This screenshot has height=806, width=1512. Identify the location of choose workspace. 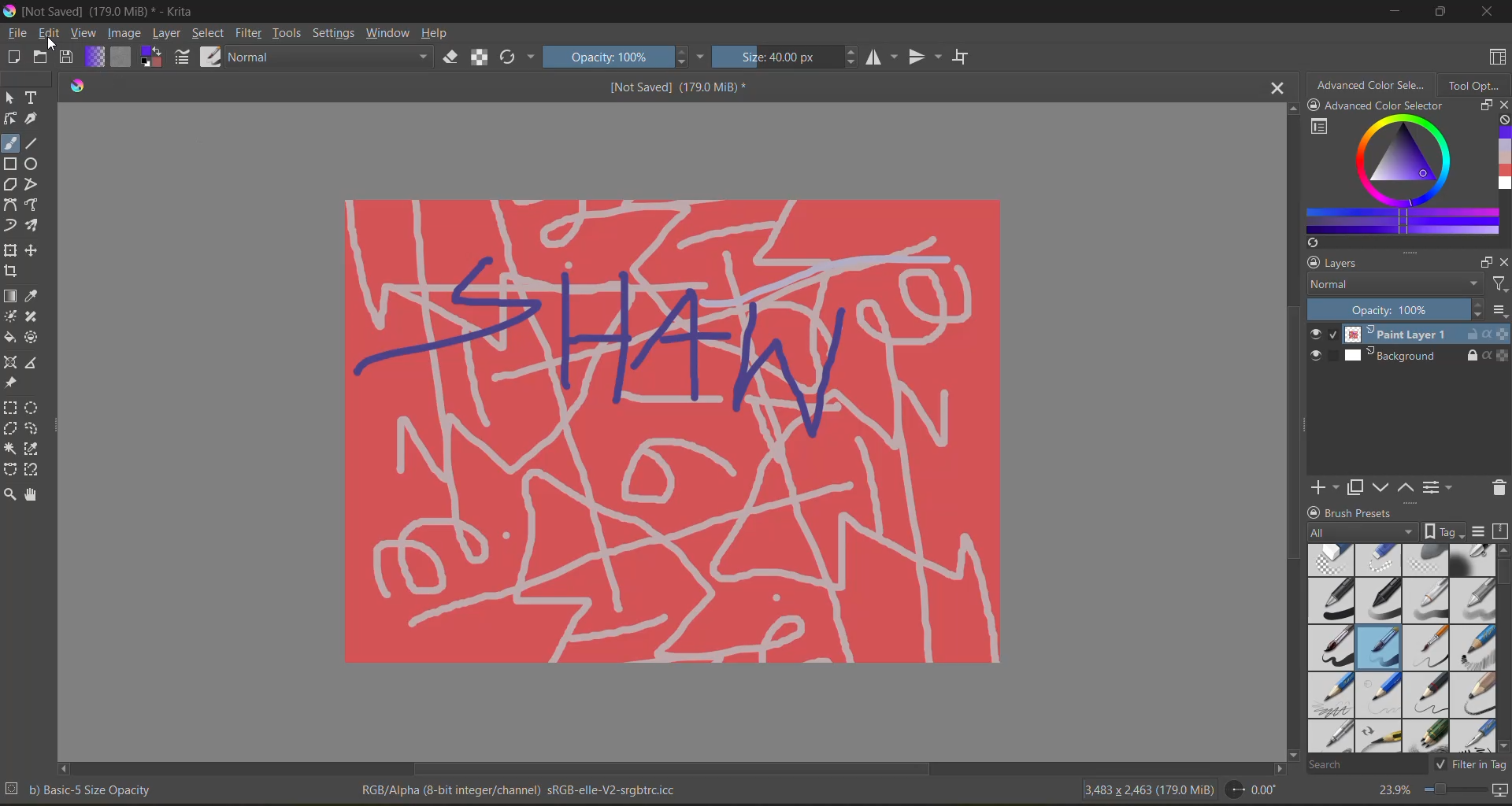
(1499, 57).